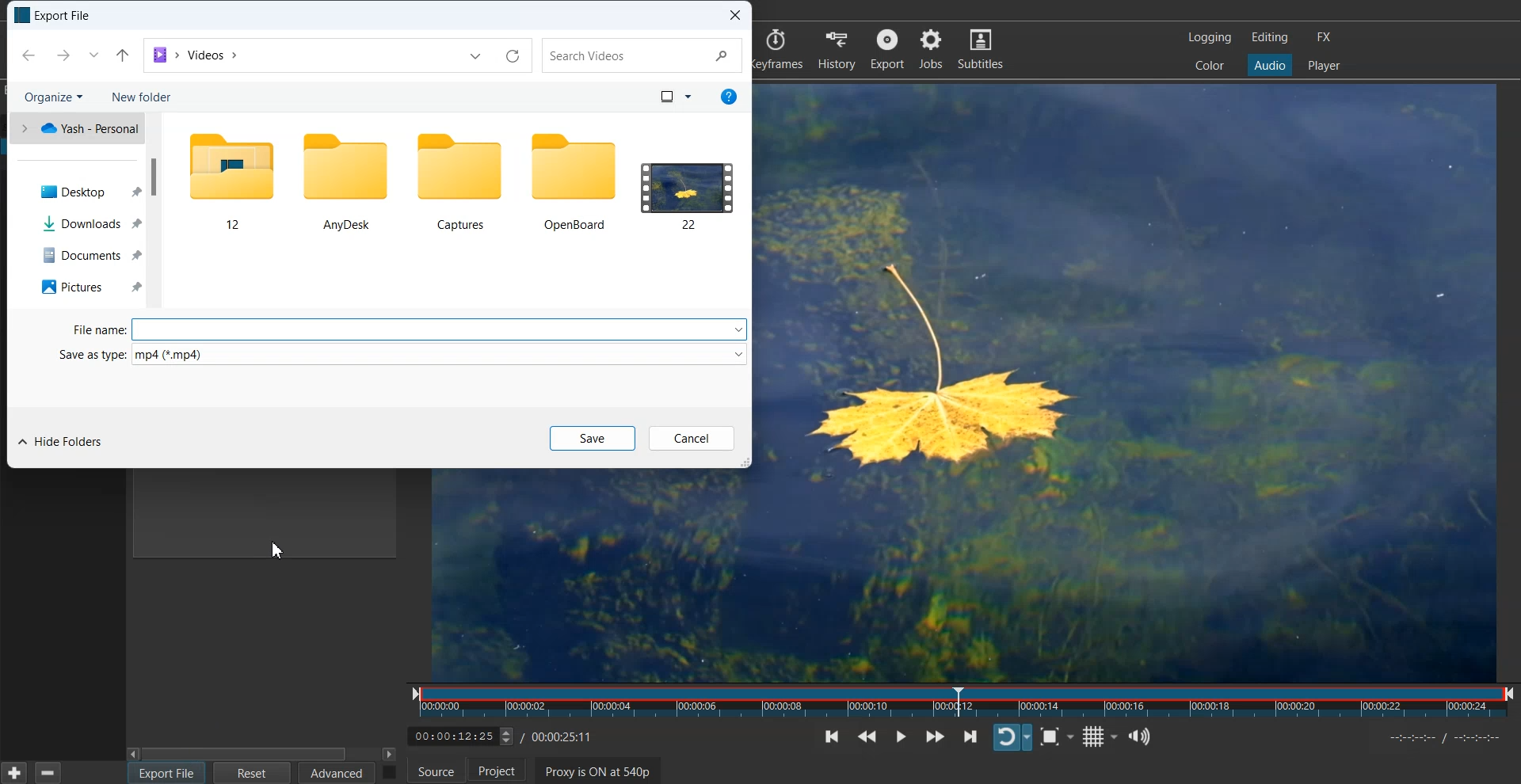 The width and height of the screenshot is (1521, 784). I want to click on cursor, so click(276, 553).